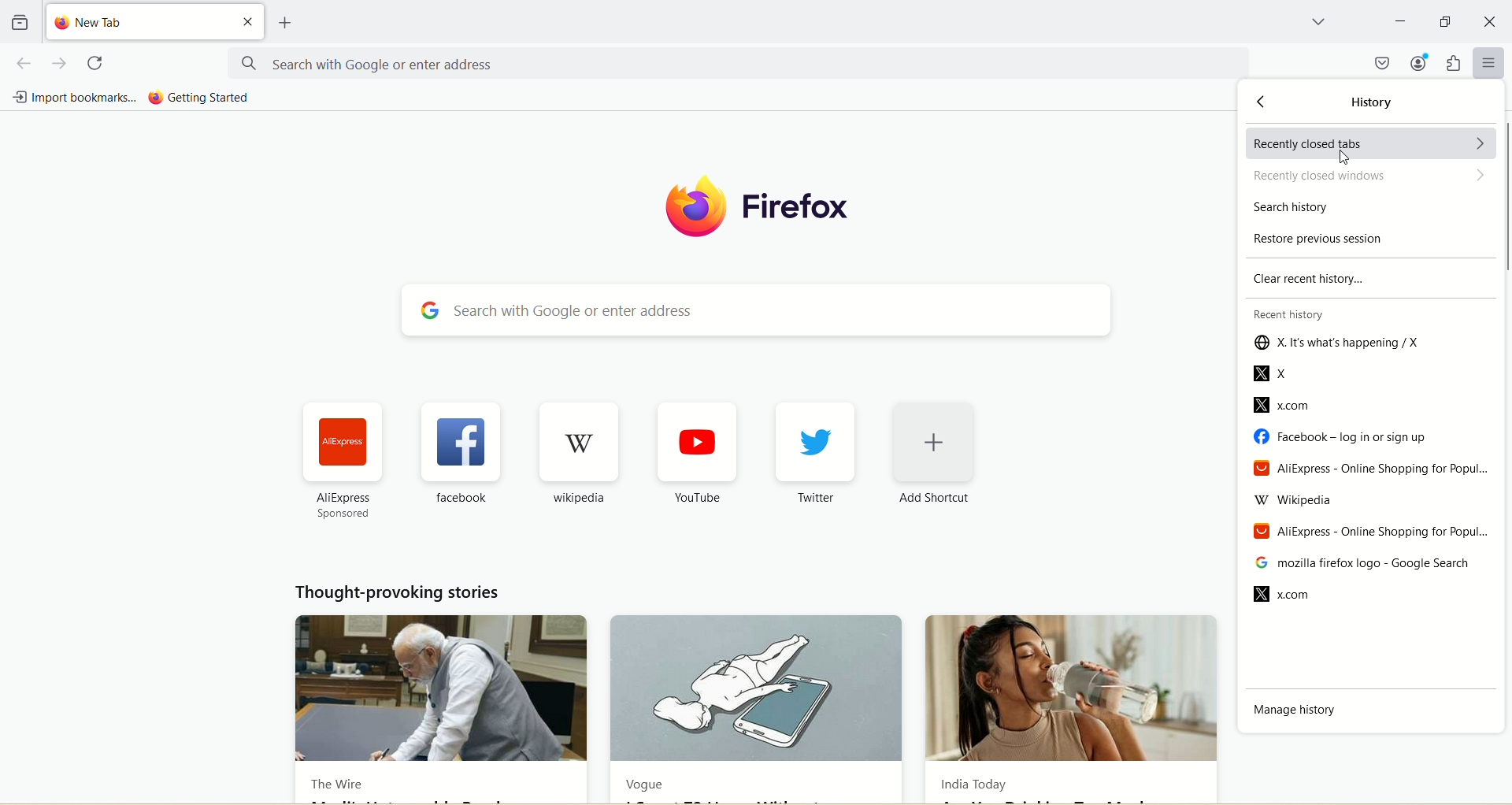 This screenshot has height=805, width=1512. Describe the element at coordinates (972, 785) in the screenshot. I see `India Today` at that location.